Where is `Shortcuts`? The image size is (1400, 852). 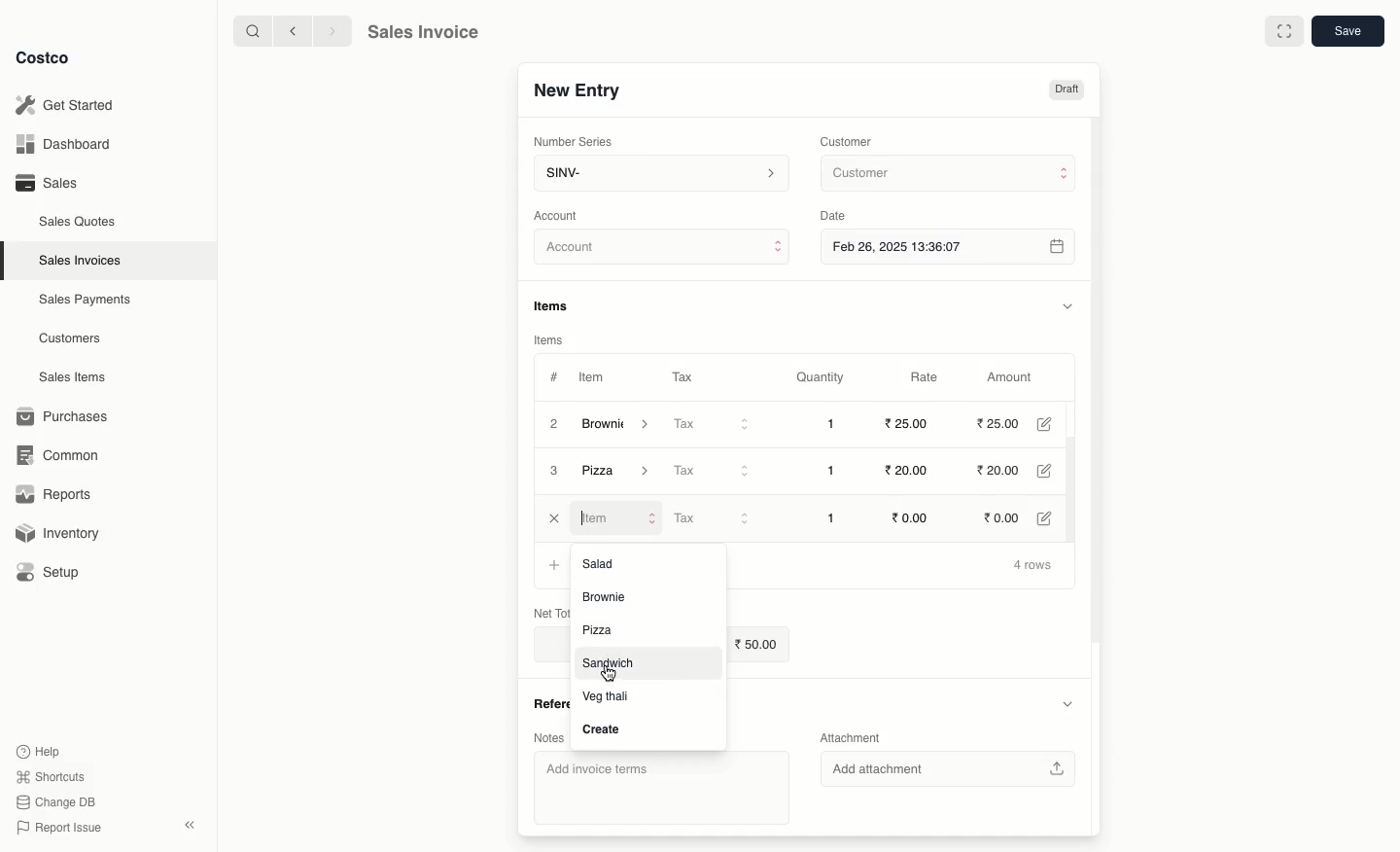 Shortcuts is located at coordinates (50, 777).